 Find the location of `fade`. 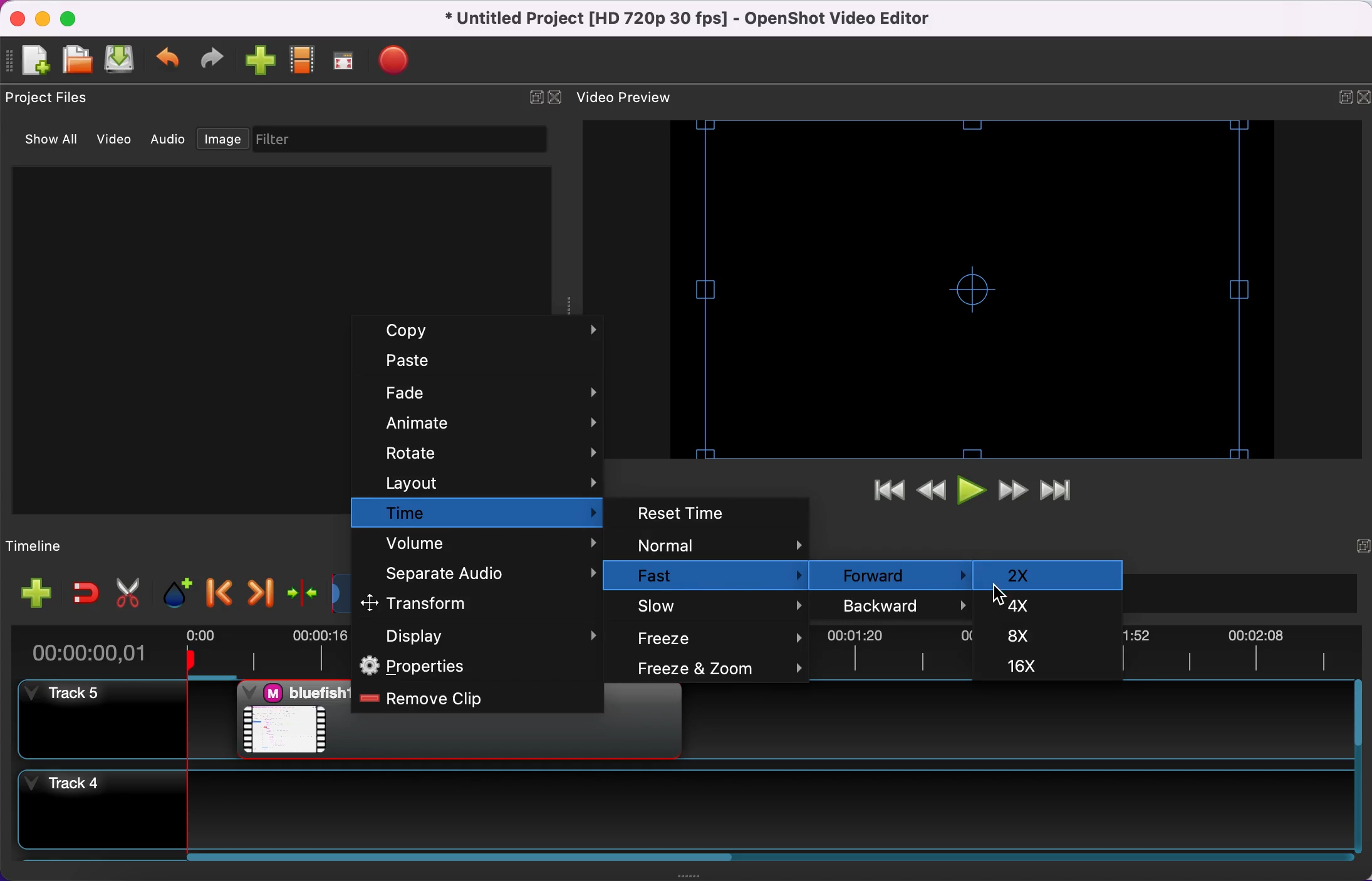

fade is located at coordinates (486, 395).